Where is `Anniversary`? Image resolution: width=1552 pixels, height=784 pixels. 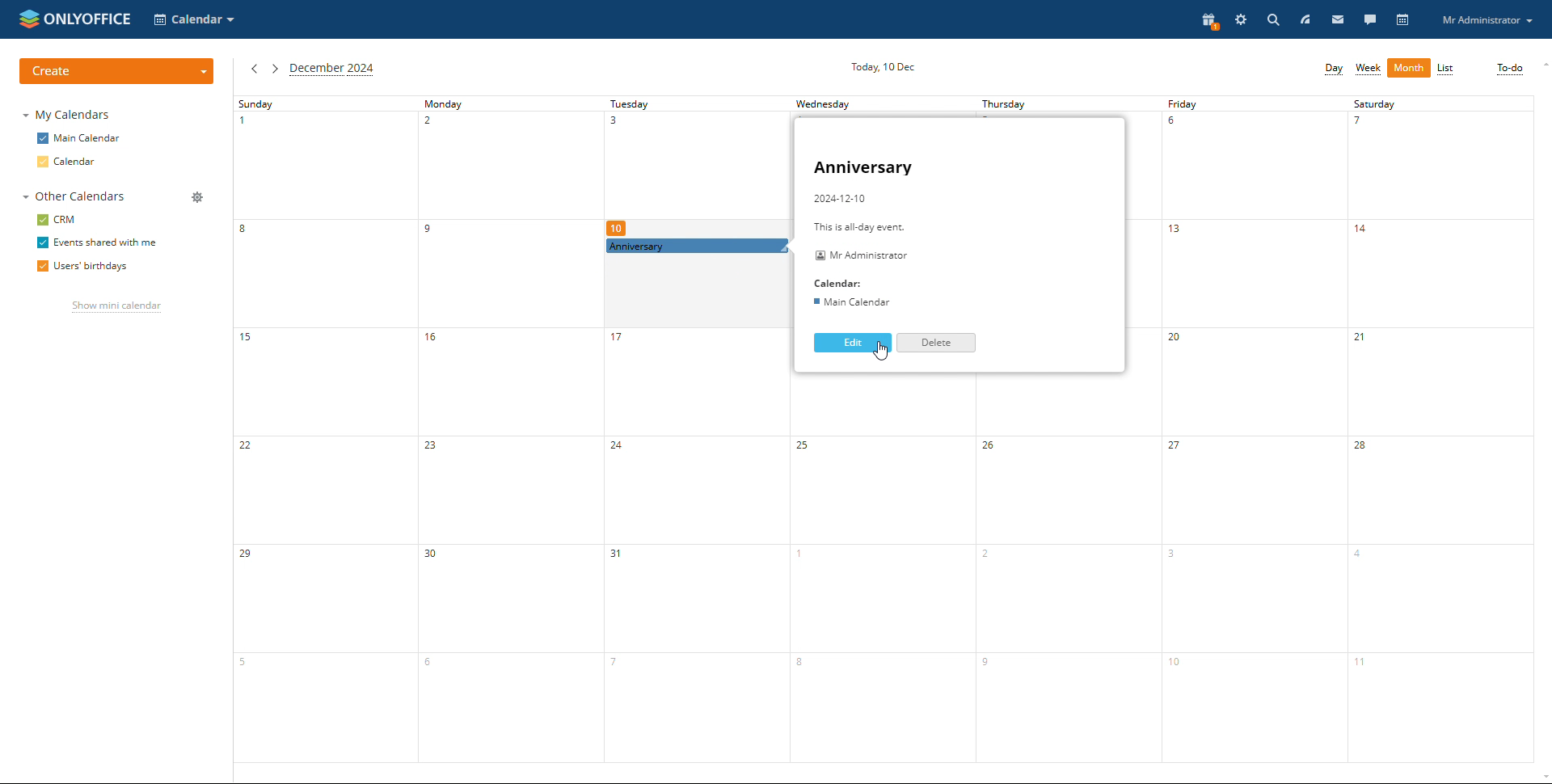
Anniversary is located at coordinates (867, 168).